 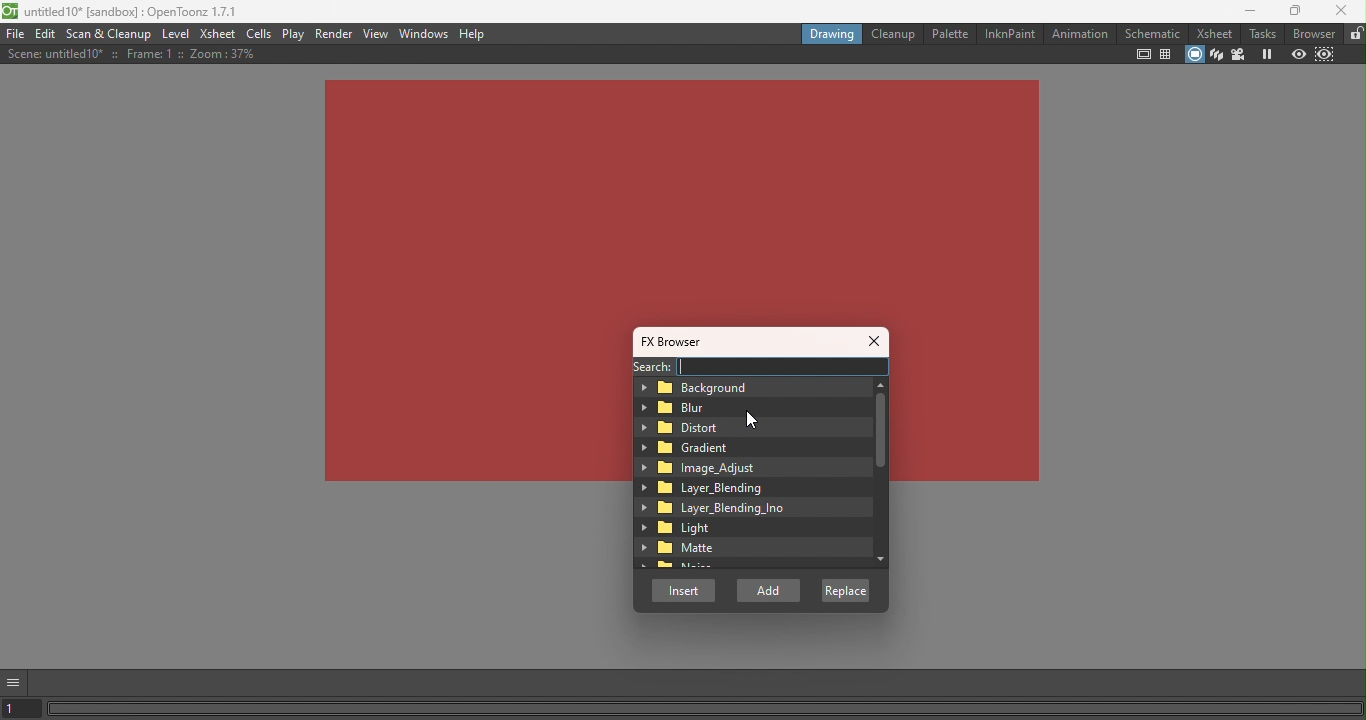 What do you see at coordinates (850, 593) in the screenshot?
I see `Replace` at bounding box center [850, 593].